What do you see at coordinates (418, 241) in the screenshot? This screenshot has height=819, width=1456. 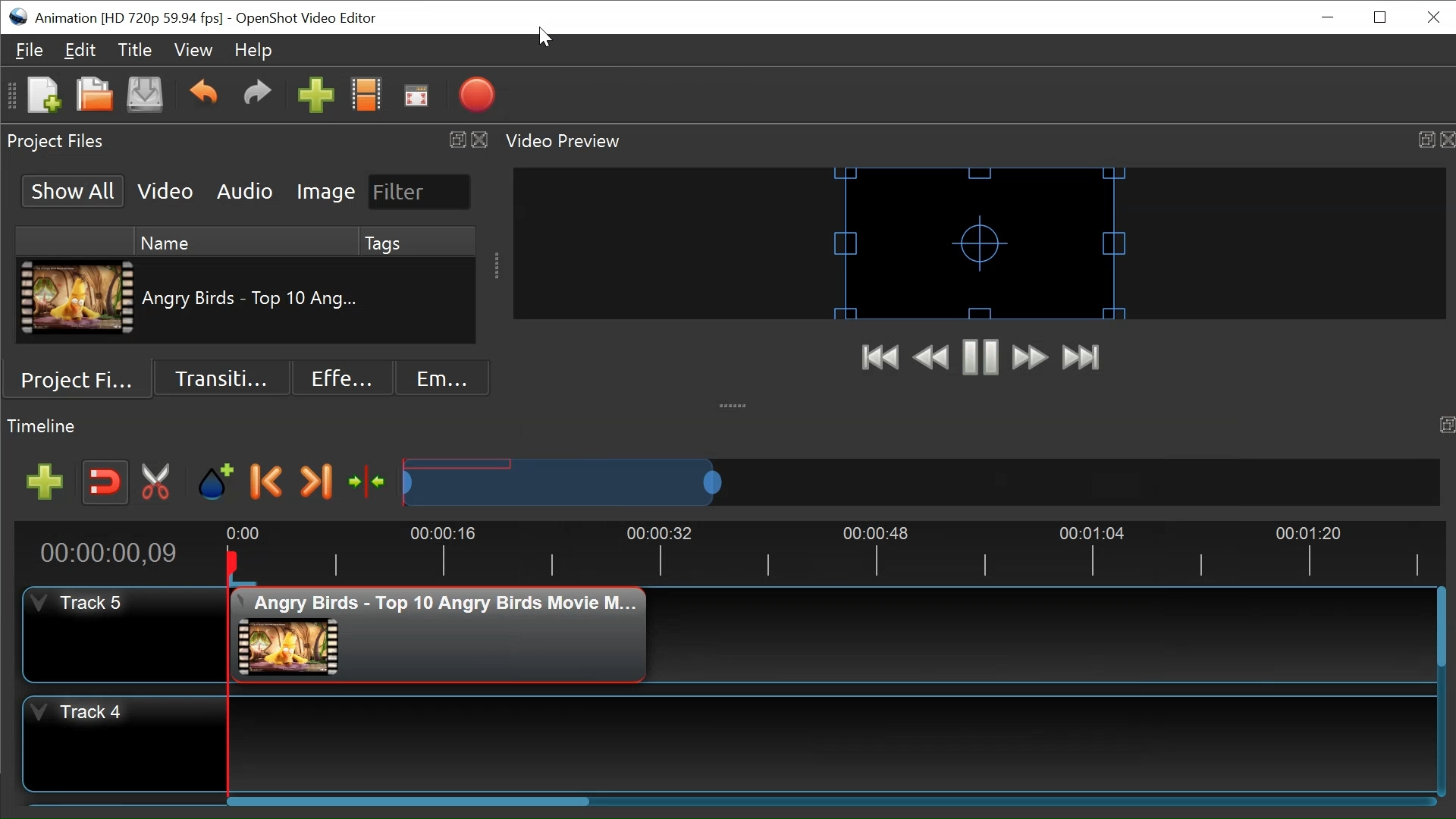 I see `Tags` at bounding box center [418, 241].